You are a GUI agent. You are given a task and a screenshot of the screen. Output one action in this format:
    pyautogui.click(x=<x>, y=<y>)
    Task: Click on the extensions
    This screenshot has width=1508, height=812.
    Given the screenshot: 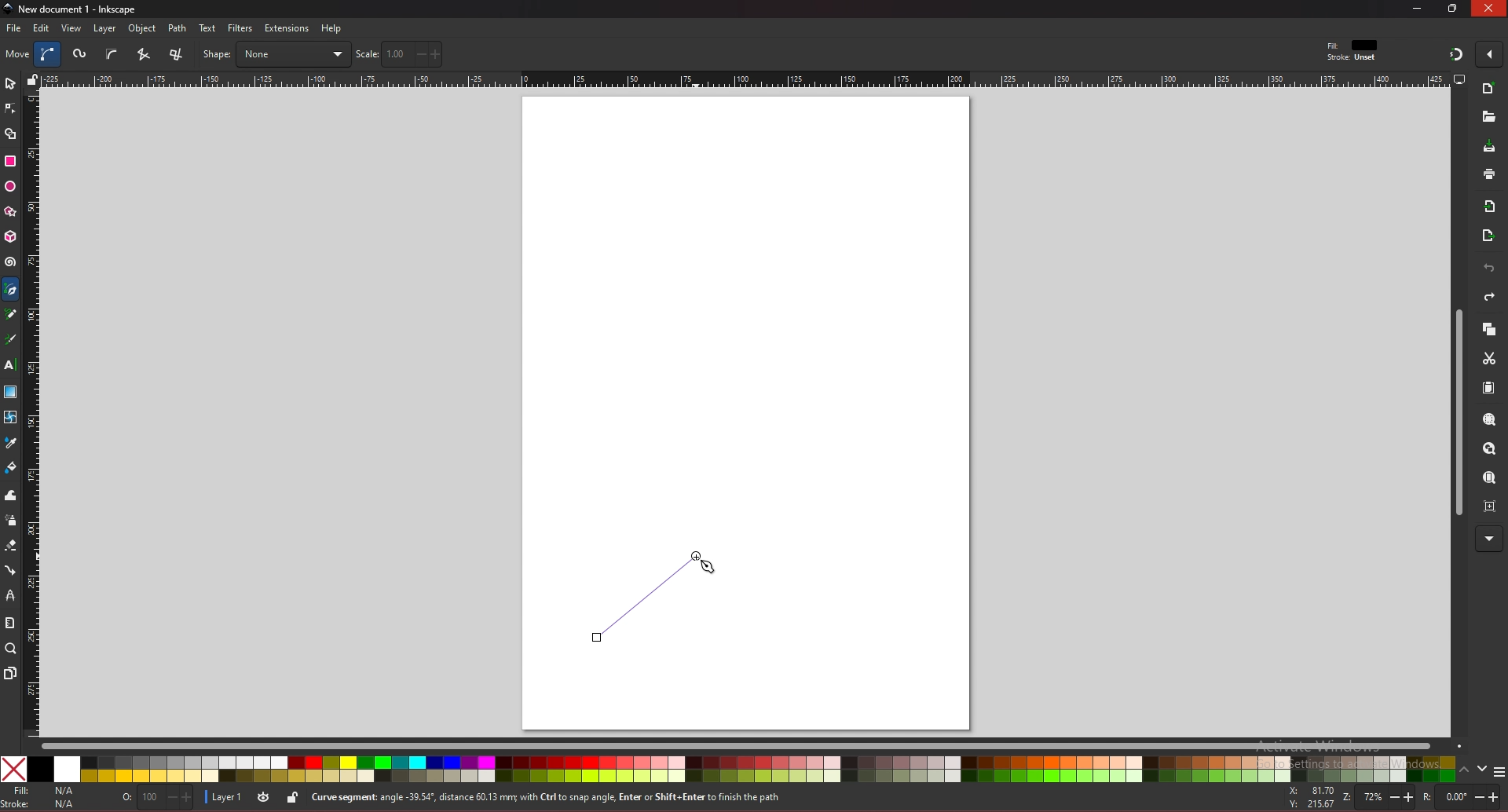 What is the action you would take?
    pyautogui.click(x=286, y=29)
    